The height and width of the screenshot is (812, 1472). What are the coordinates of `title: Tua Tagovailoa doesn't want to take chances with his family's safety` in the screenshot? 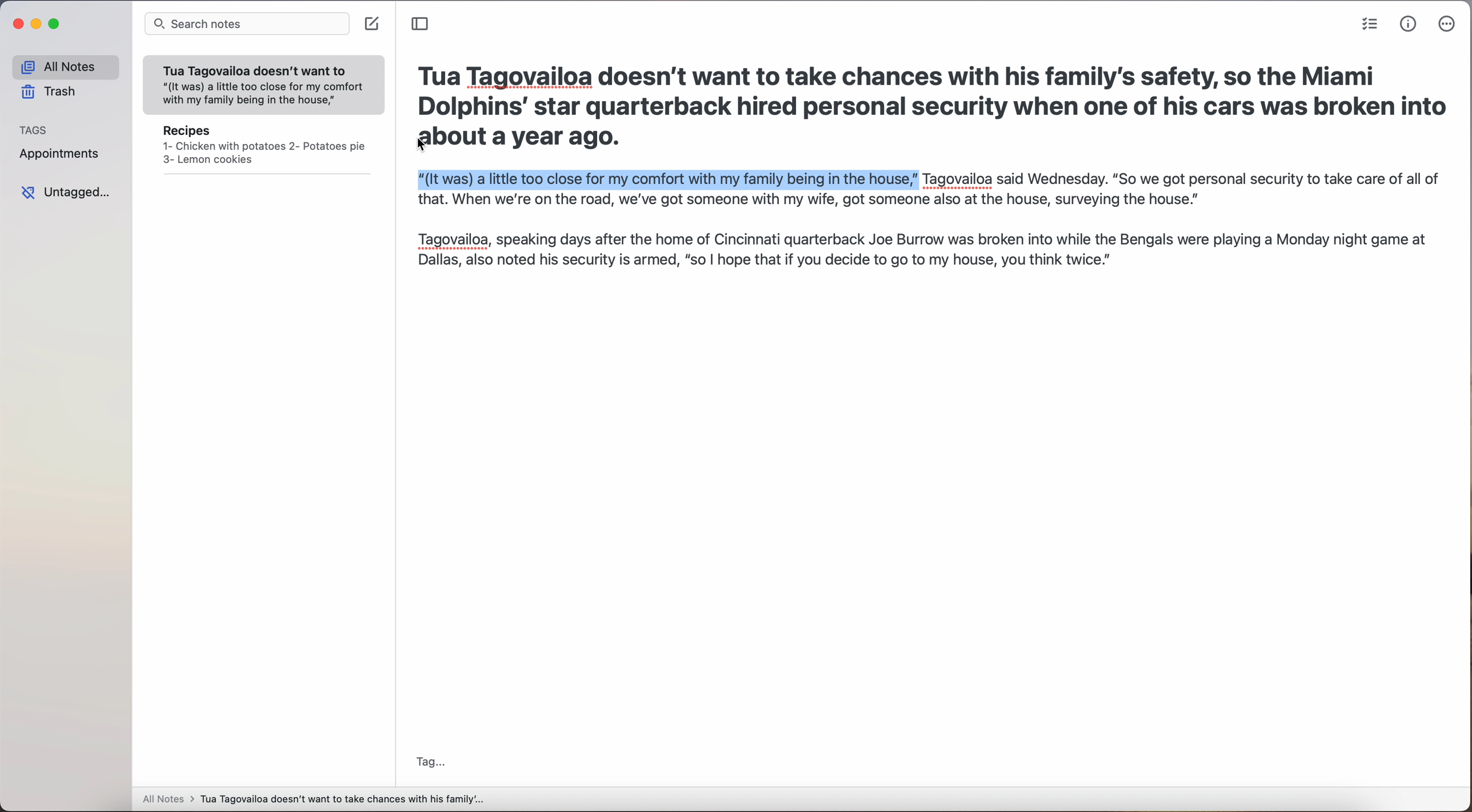 It's located at (929, 91).